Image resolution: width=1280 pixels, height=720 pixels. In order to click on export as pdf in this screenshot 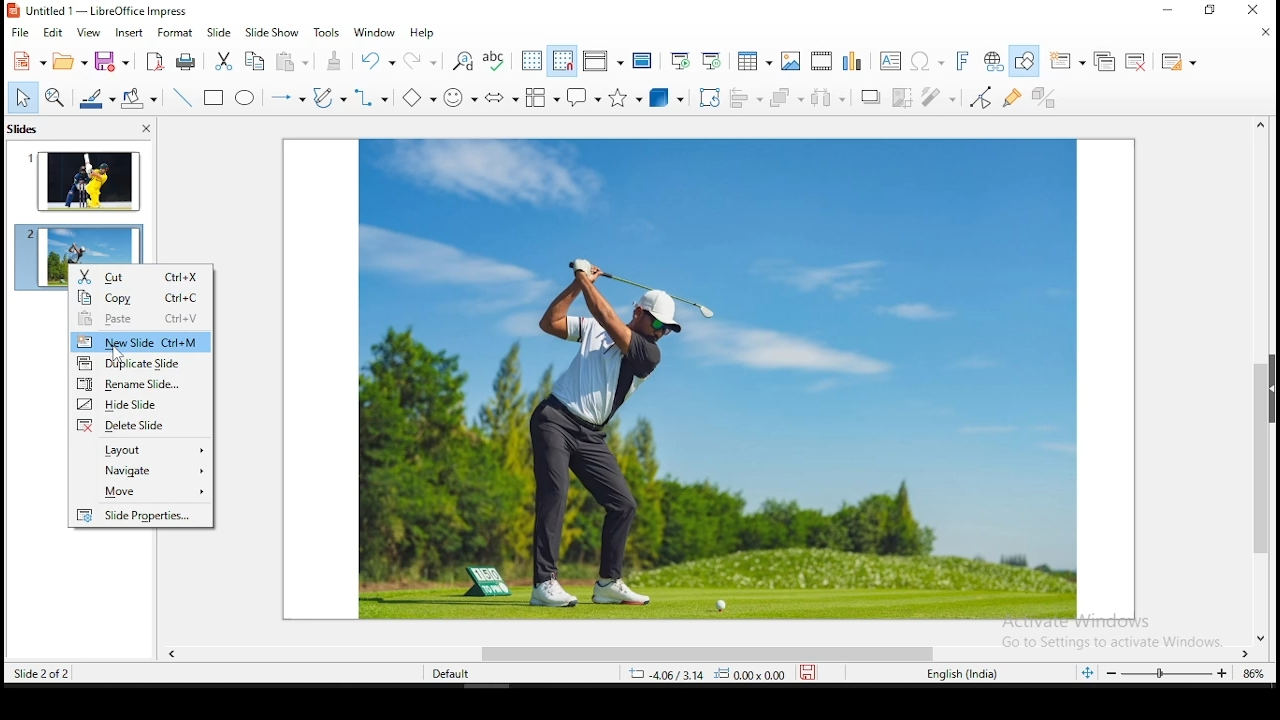, I will do `click(152, 61)`.